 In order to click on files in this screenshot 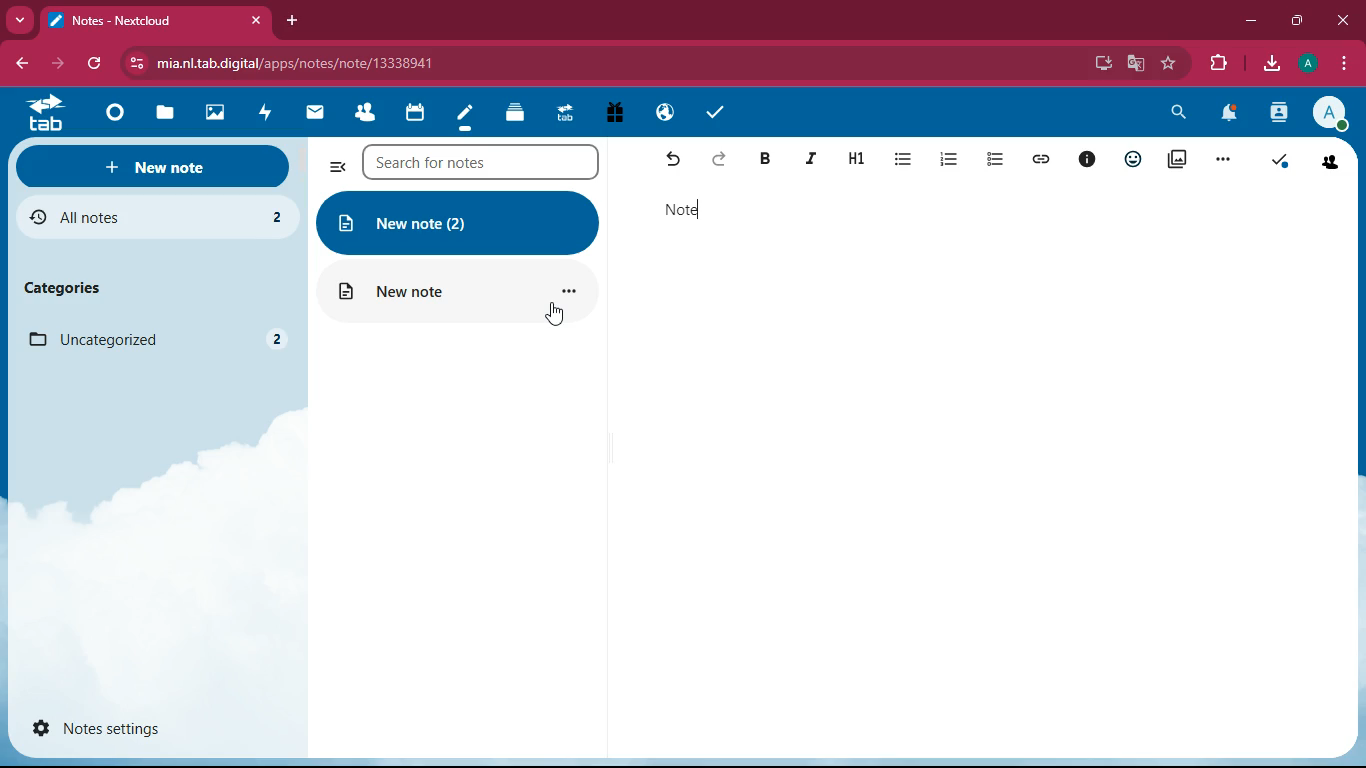, I will do `click(166, 113)`.